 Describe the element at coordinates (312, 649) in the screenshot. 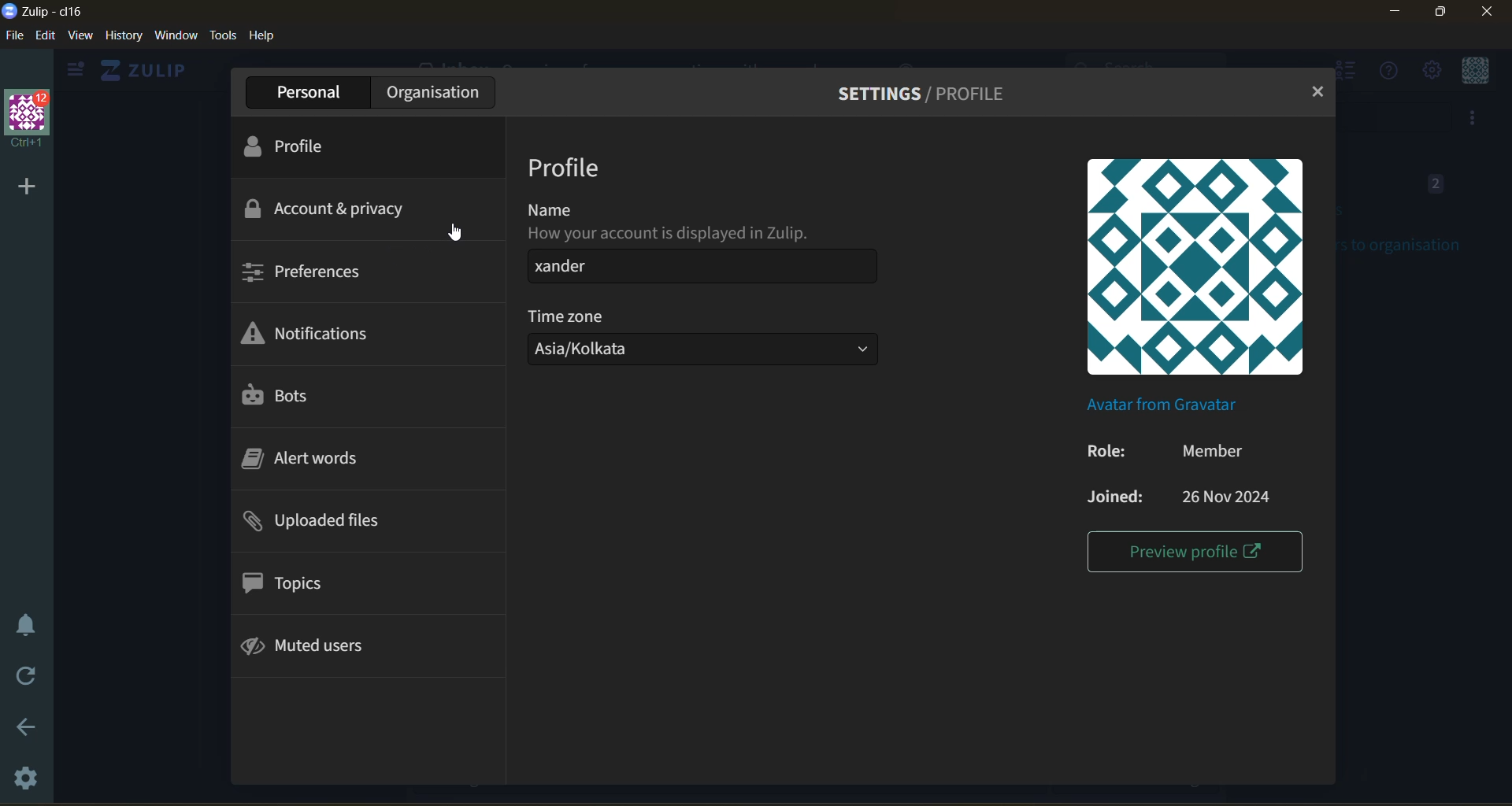

I see `muted users` at that location.